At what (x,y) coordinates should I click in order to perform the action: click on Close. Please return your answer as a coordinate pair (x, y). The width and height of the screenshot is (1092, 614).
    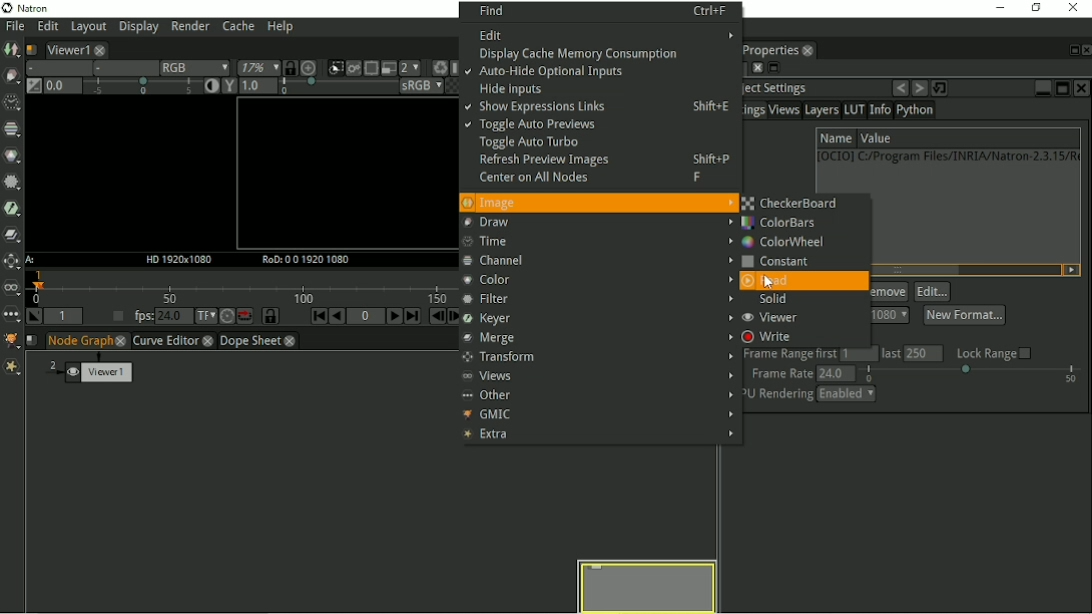
    Looking at the image, I should click on (1085, 50).